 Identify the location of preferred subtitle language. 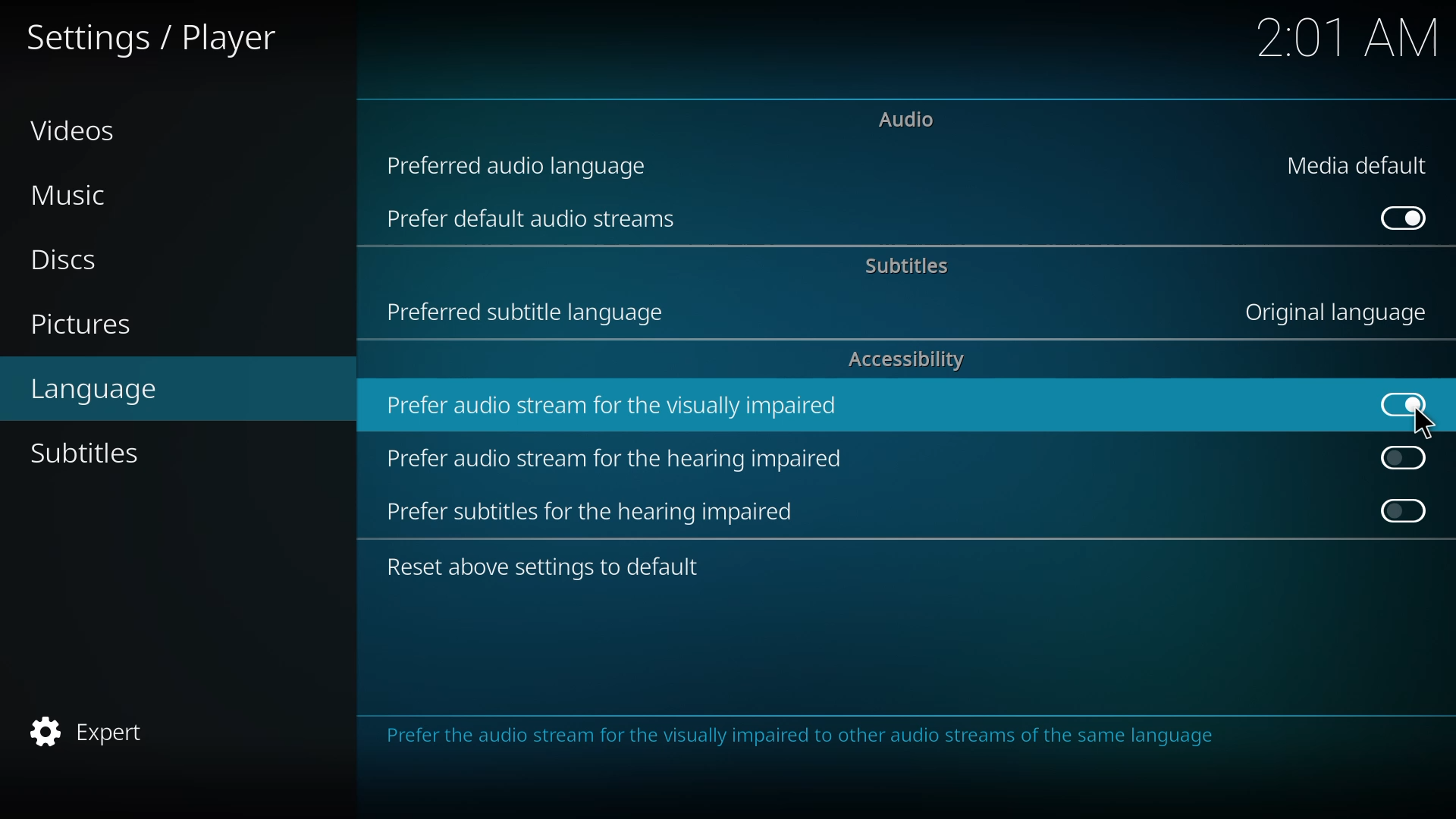
(529, 313).